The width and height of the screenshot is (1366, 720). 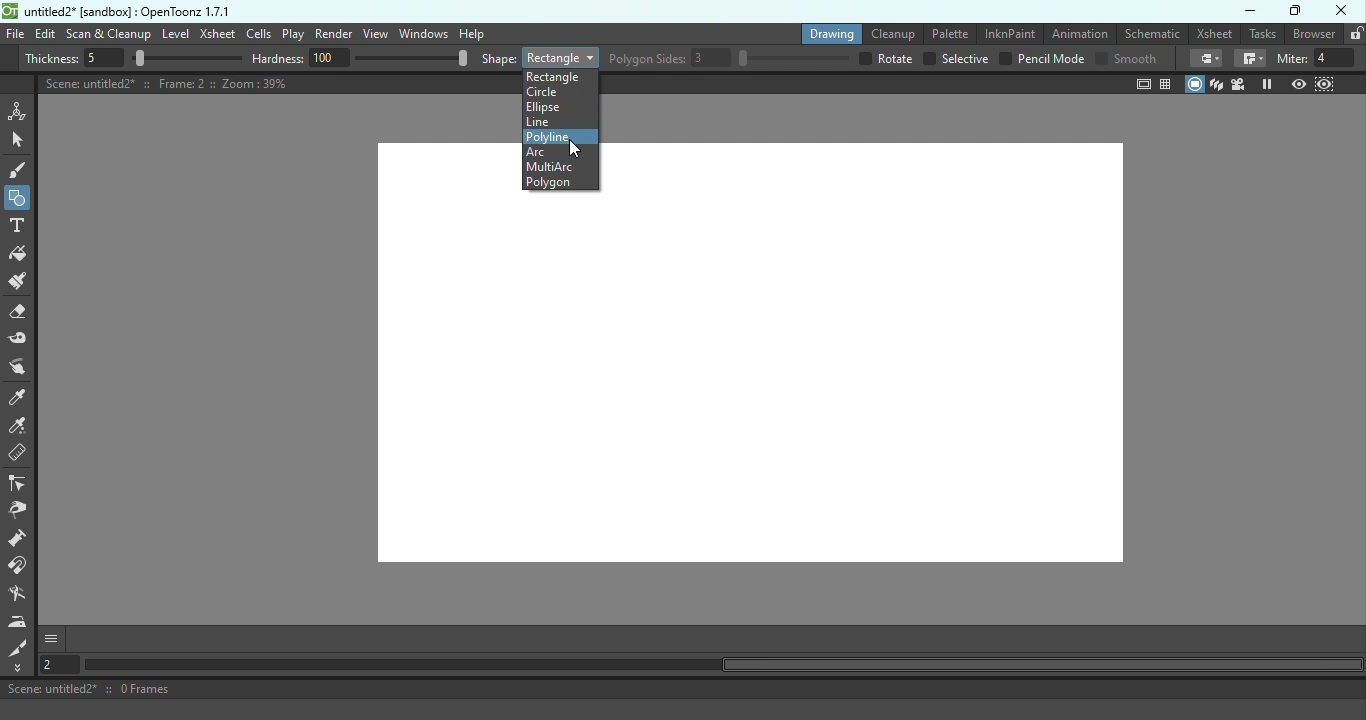 What do you see at coordinates (21, 648) in the screenshot?
I see `Cutter tool` at bounding box center [21, 648].